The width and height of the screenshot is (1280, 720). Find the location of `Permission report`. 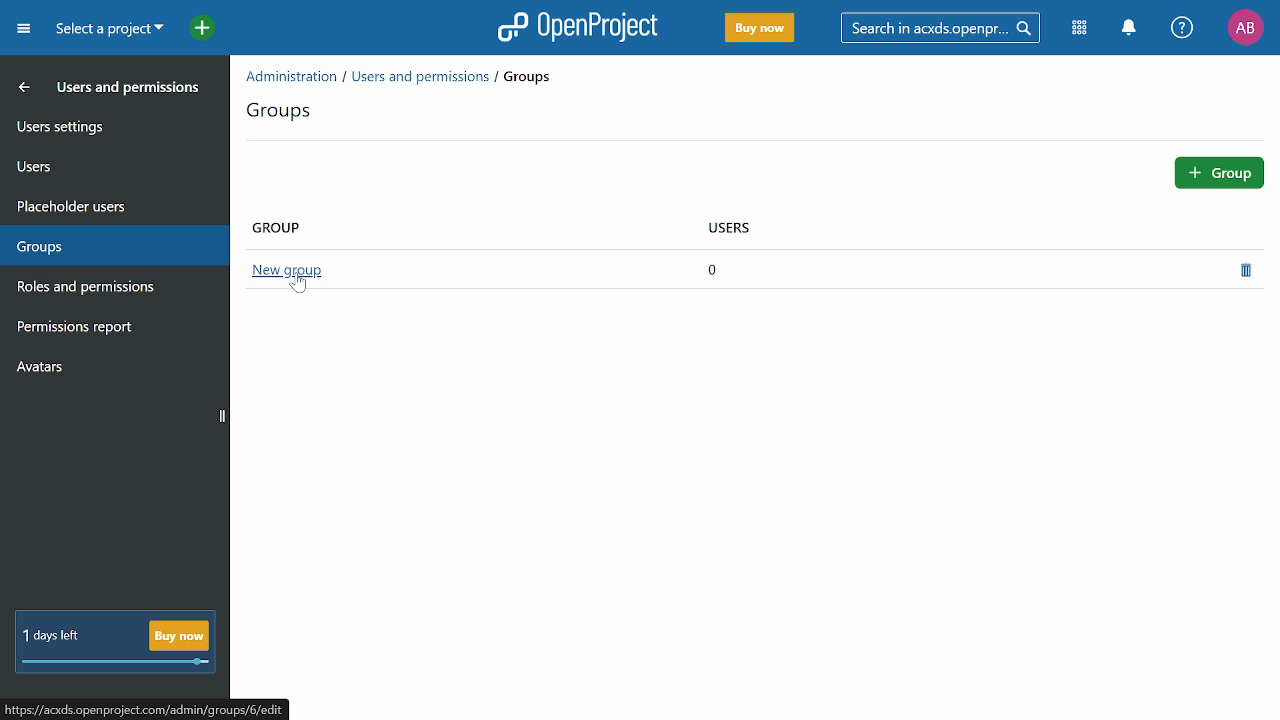

Permission report is located at coordinates (110, 329).